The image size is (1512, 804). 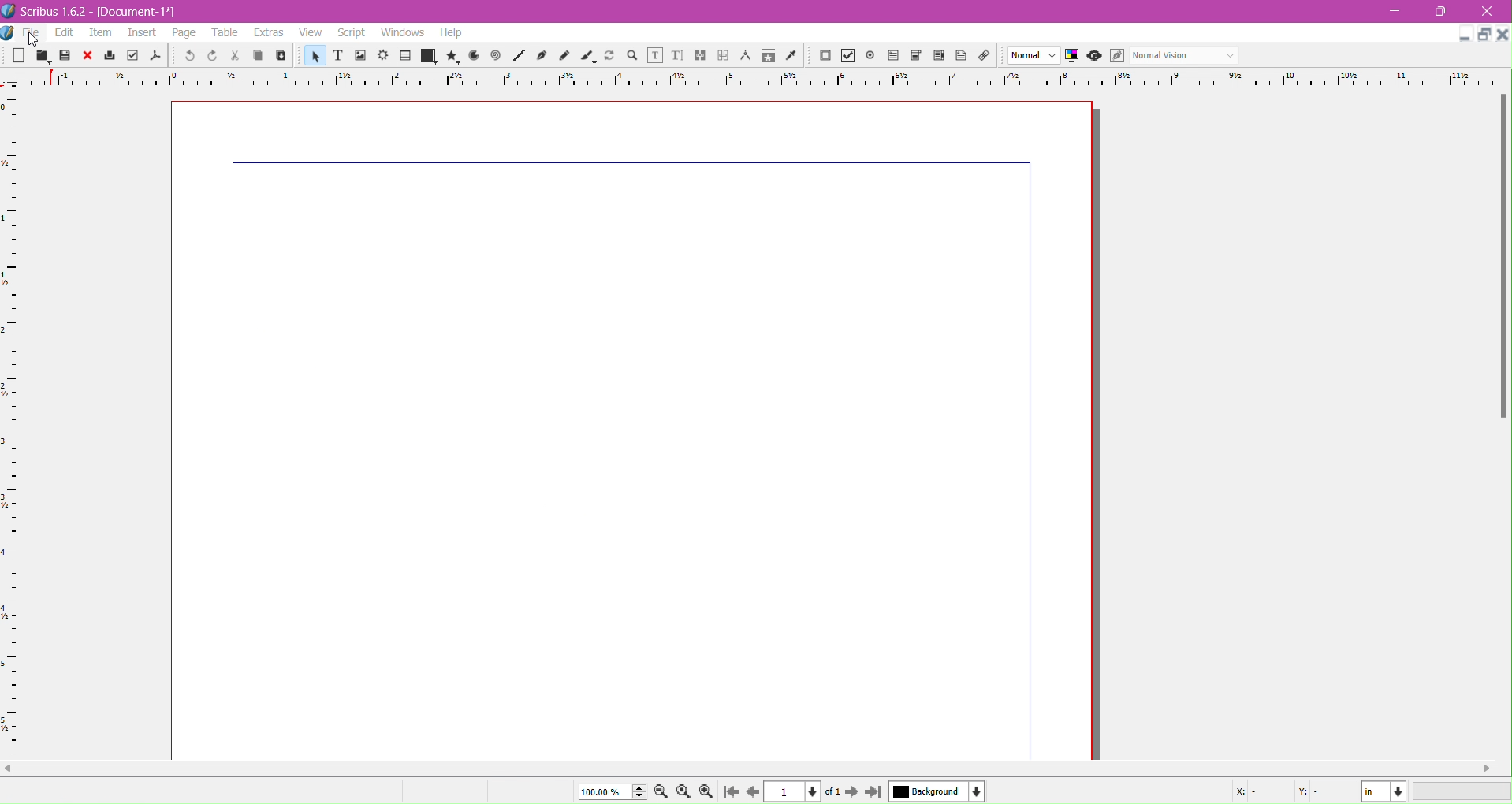 I want to click on preview mode, so click(x=1093, y=56).